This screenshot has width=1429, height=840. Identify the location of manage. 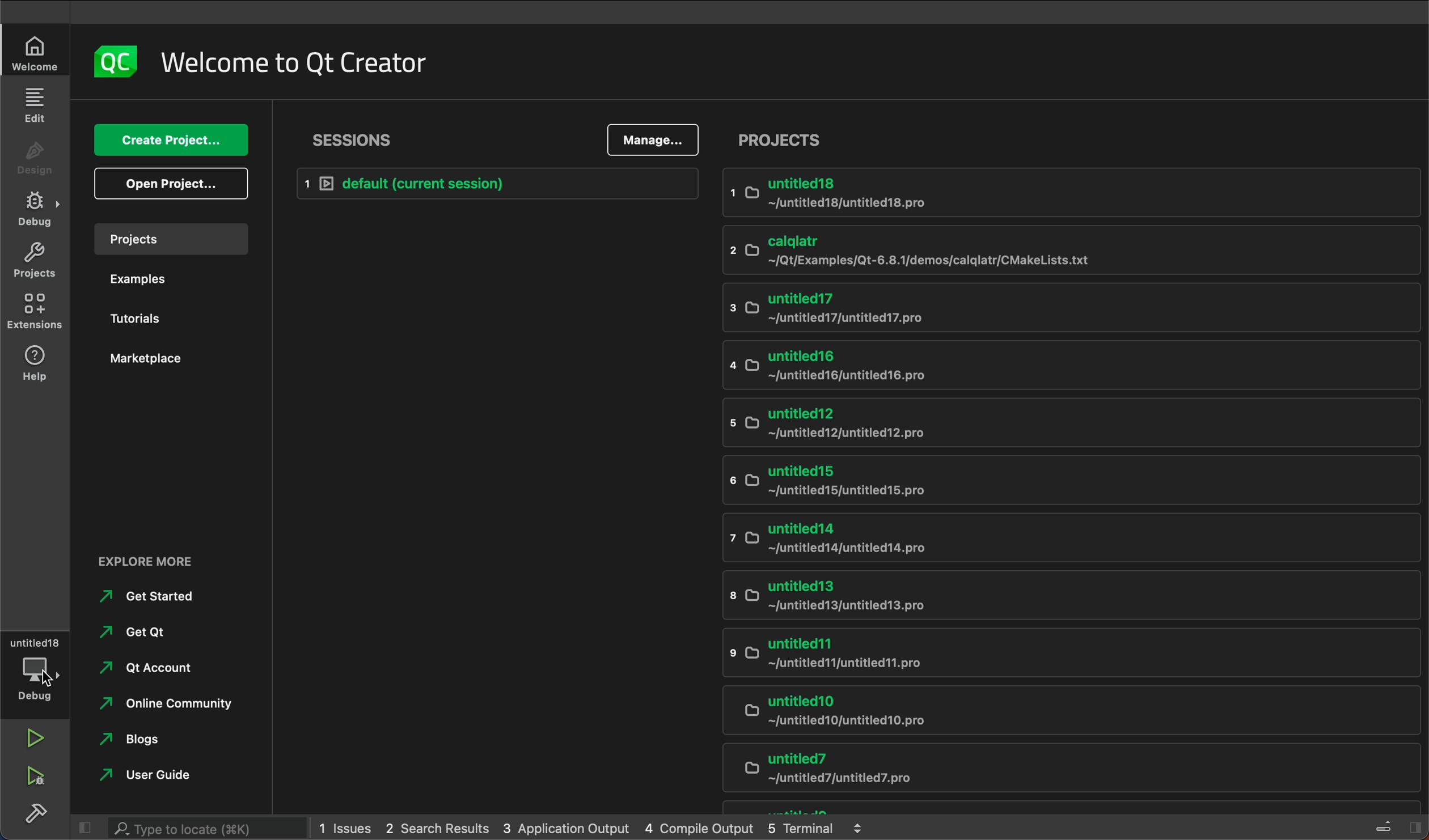
(657, 139).